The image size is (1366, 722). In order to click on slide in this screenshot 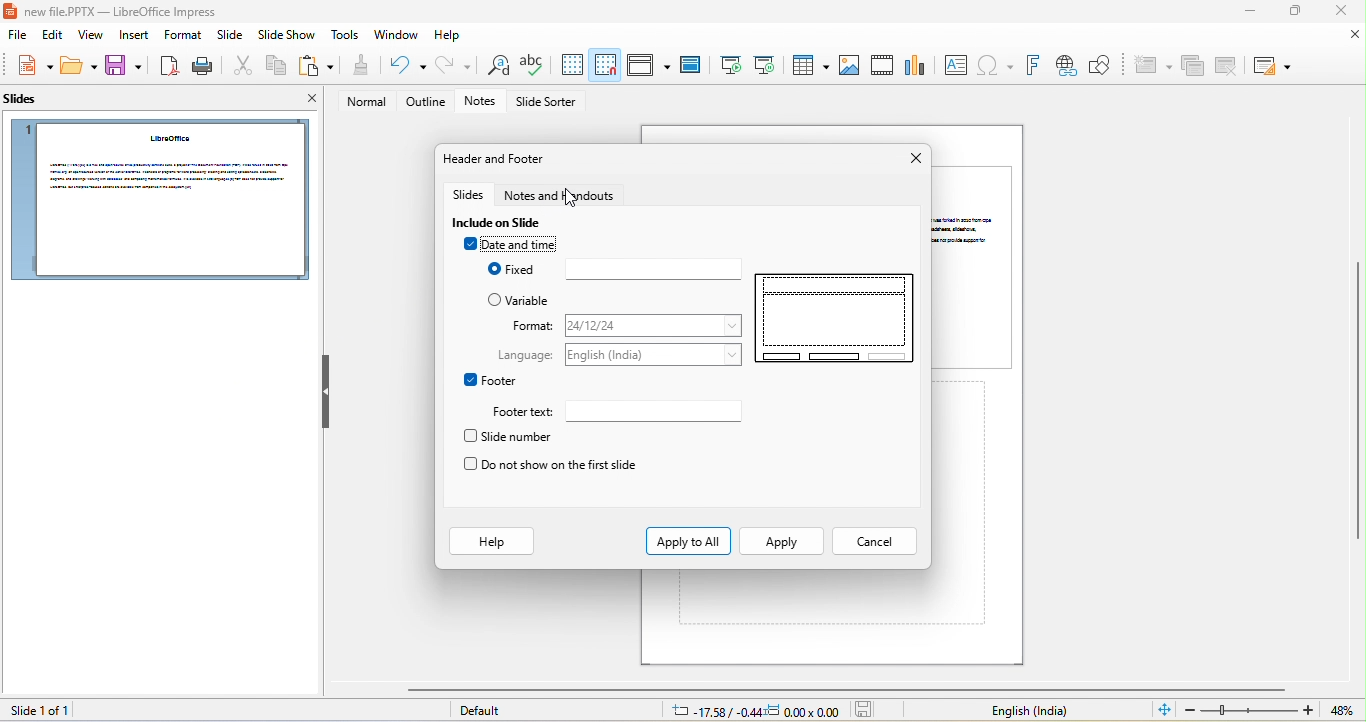, I will do `click(976, 266)`.